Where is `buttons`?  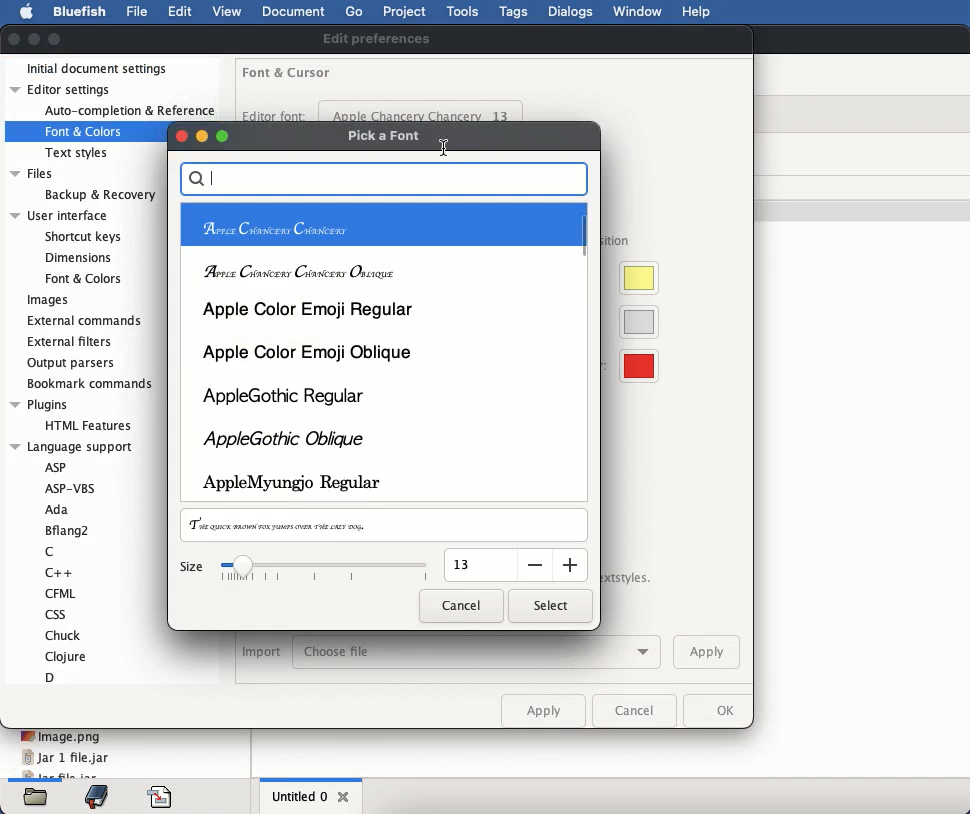 buttons is located at coordinates (197, 134).